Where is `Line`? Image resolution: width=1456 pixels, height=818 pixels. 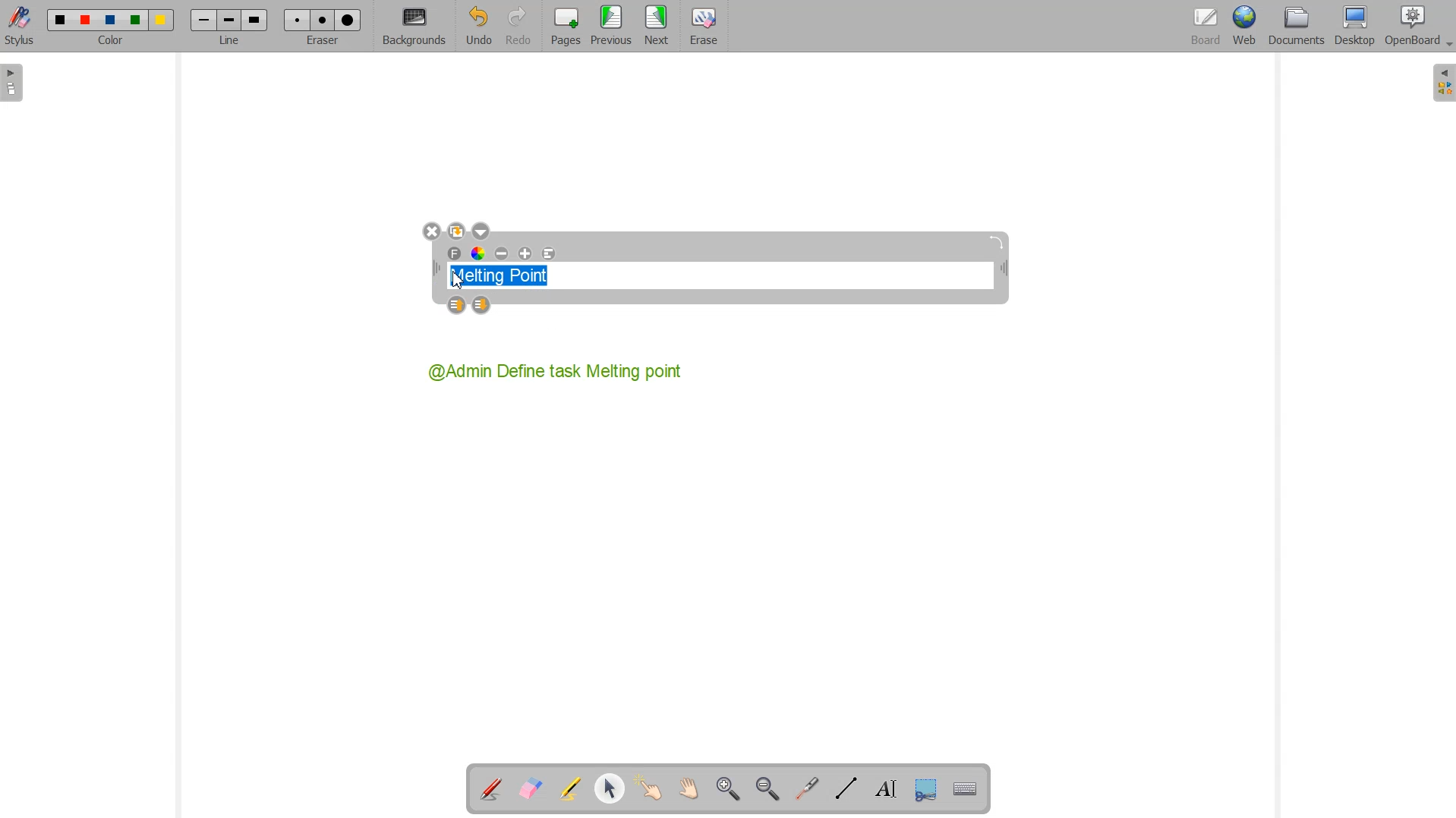
Line is located at coordinates (228, 27).